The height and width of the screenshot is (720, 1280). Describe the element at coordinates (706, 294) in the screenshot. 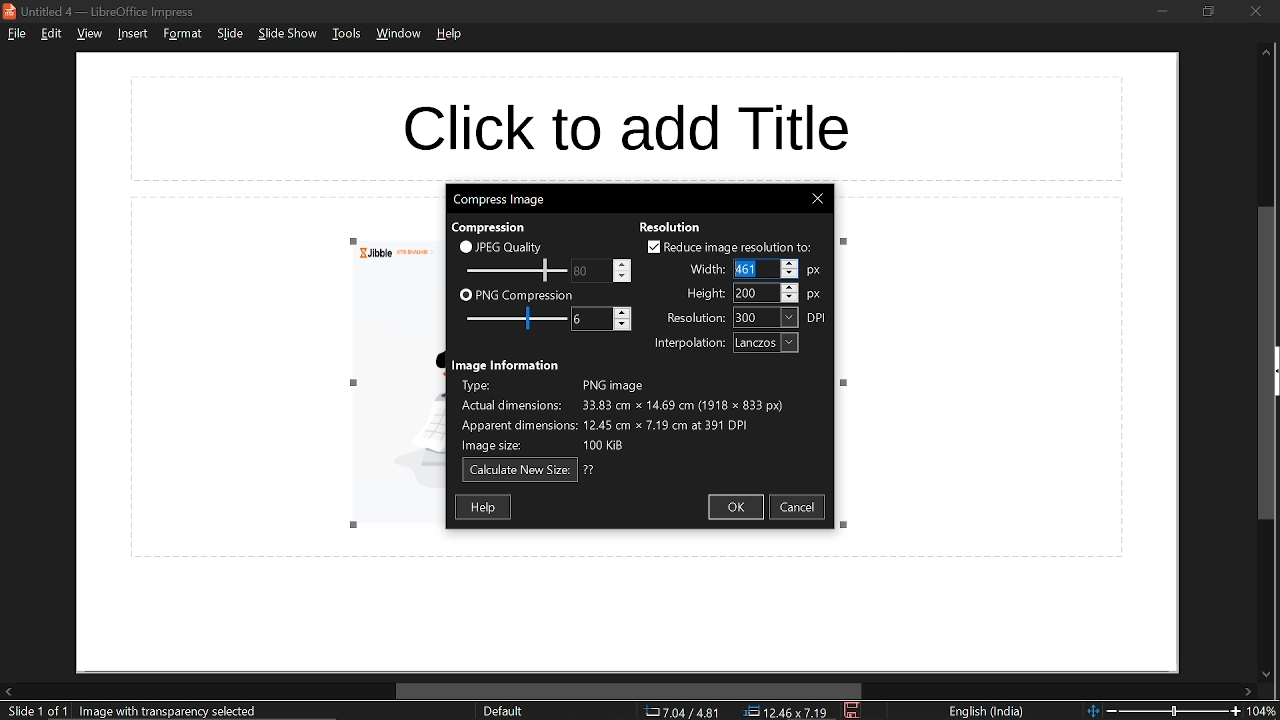

I see `text` at that location.